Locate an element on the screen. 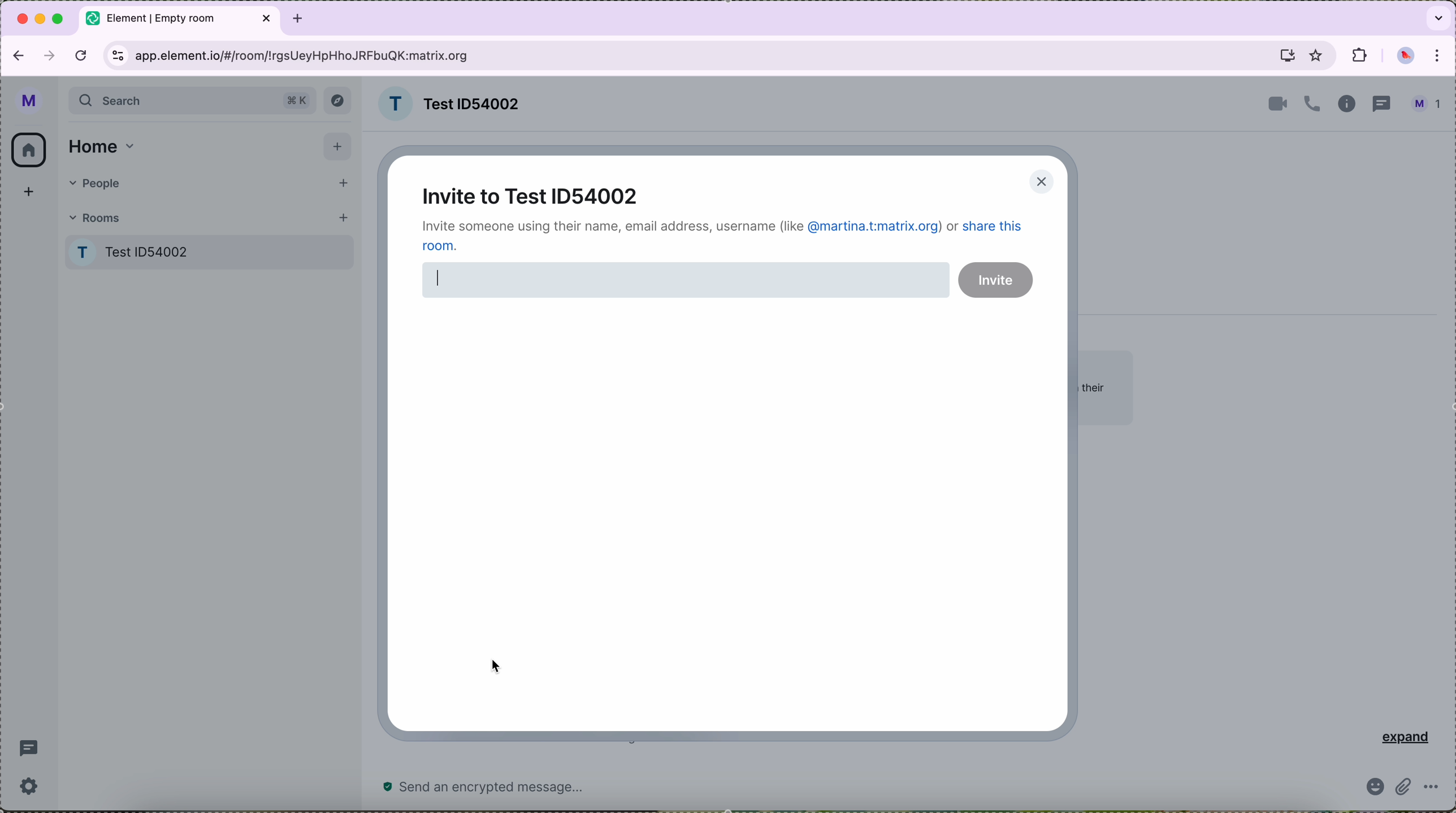 This screenshot has width=1456, height=813. search tabs is located at coordinates (1435, 18).